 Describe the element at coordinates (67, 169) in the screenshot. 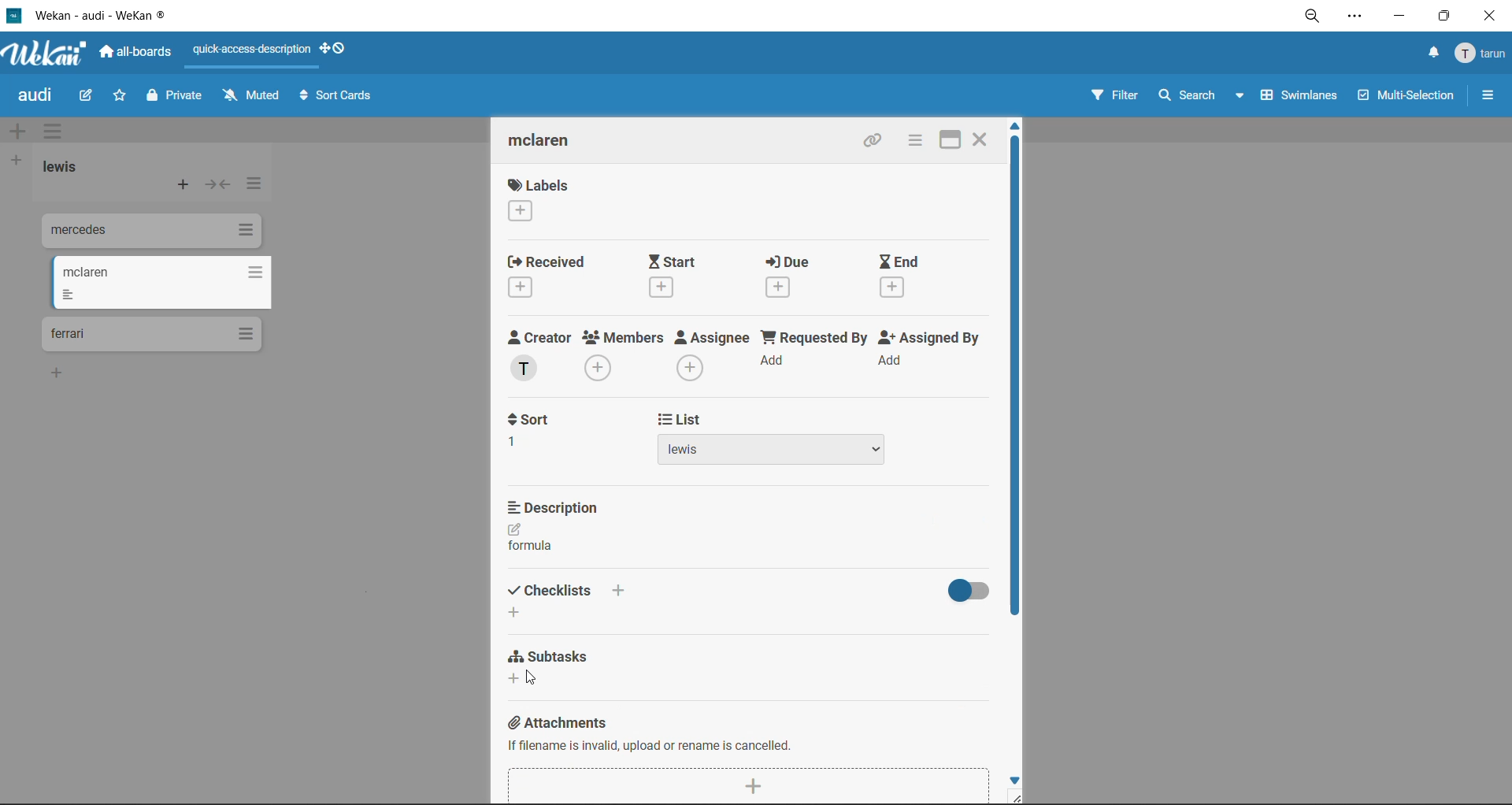

I see `list title` at that location.